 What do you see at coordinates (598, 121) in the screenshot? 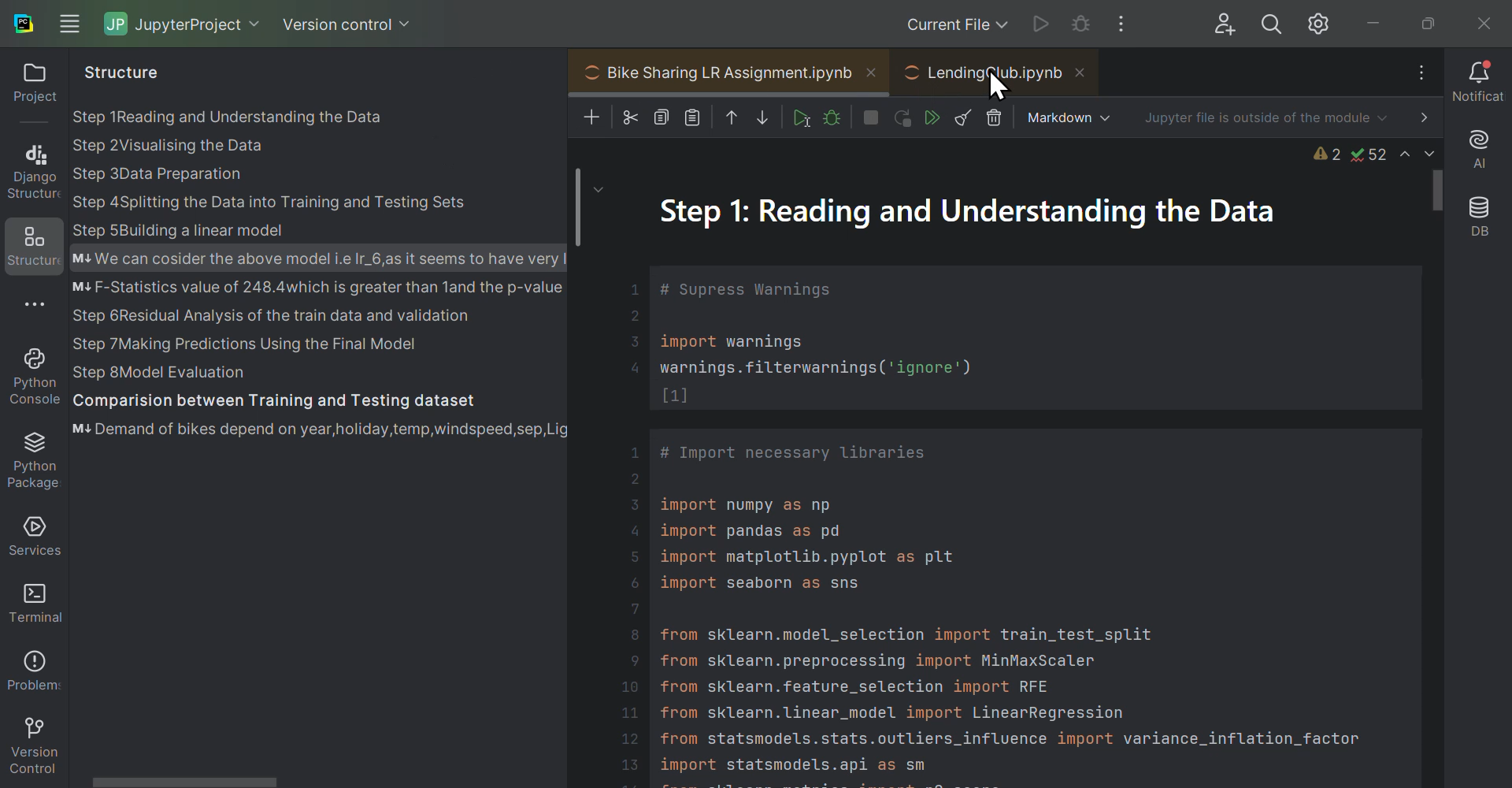
I see `Add` at bounding box center [598, 121].